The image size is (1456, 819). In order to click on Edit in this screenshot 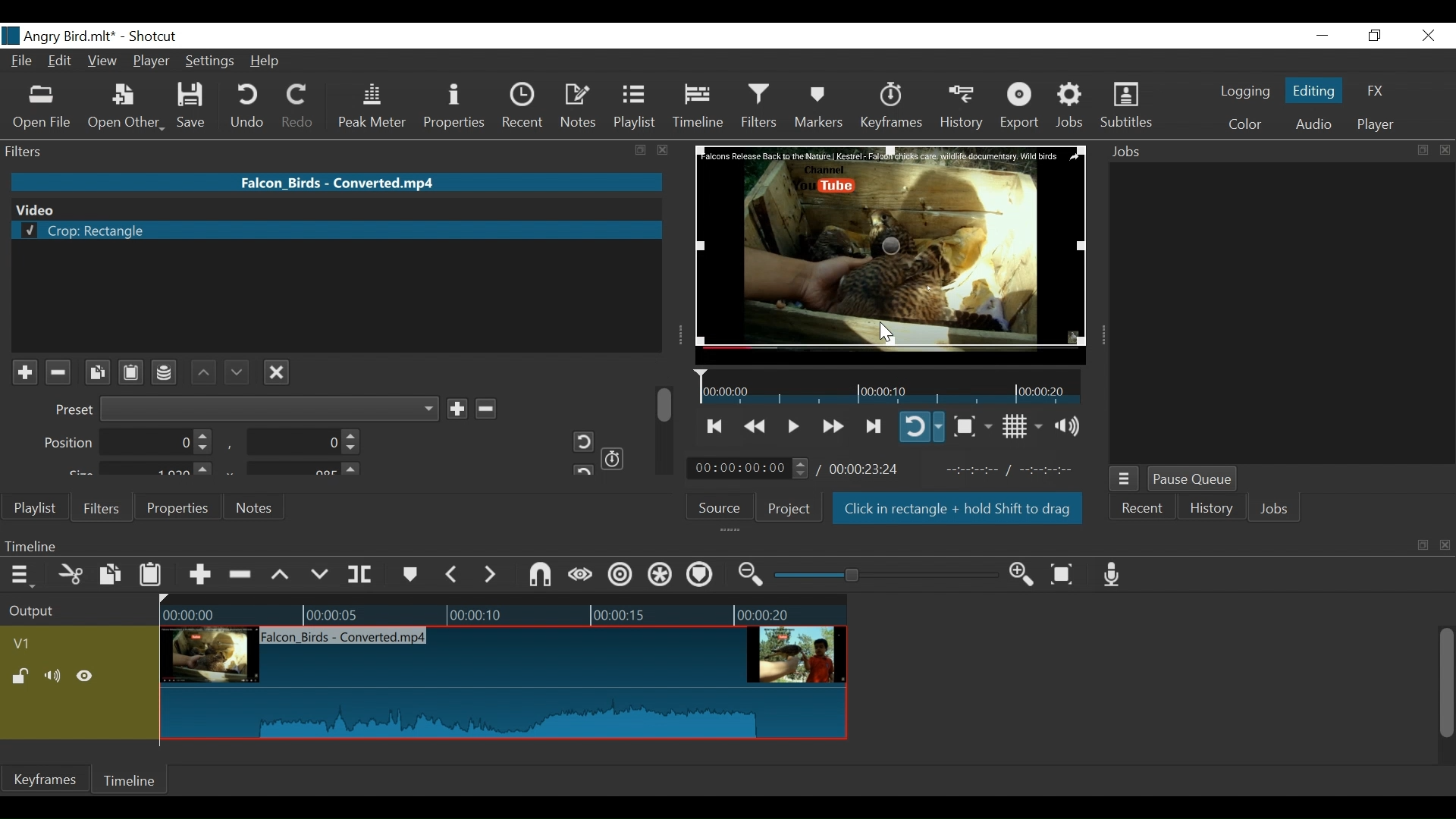, I will do `click(62, 62)`.